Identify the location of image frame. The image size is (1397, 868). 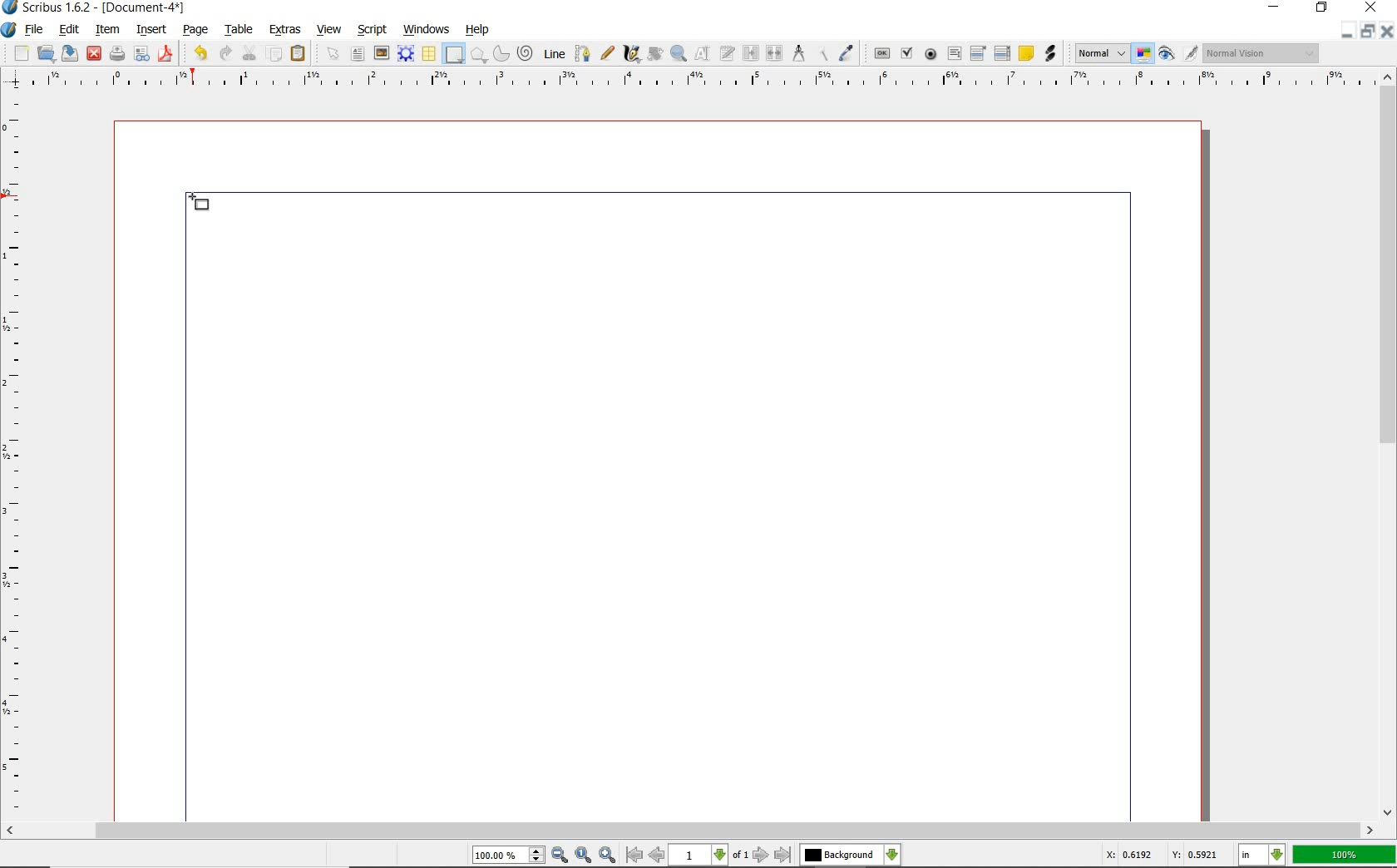
(382, 55).